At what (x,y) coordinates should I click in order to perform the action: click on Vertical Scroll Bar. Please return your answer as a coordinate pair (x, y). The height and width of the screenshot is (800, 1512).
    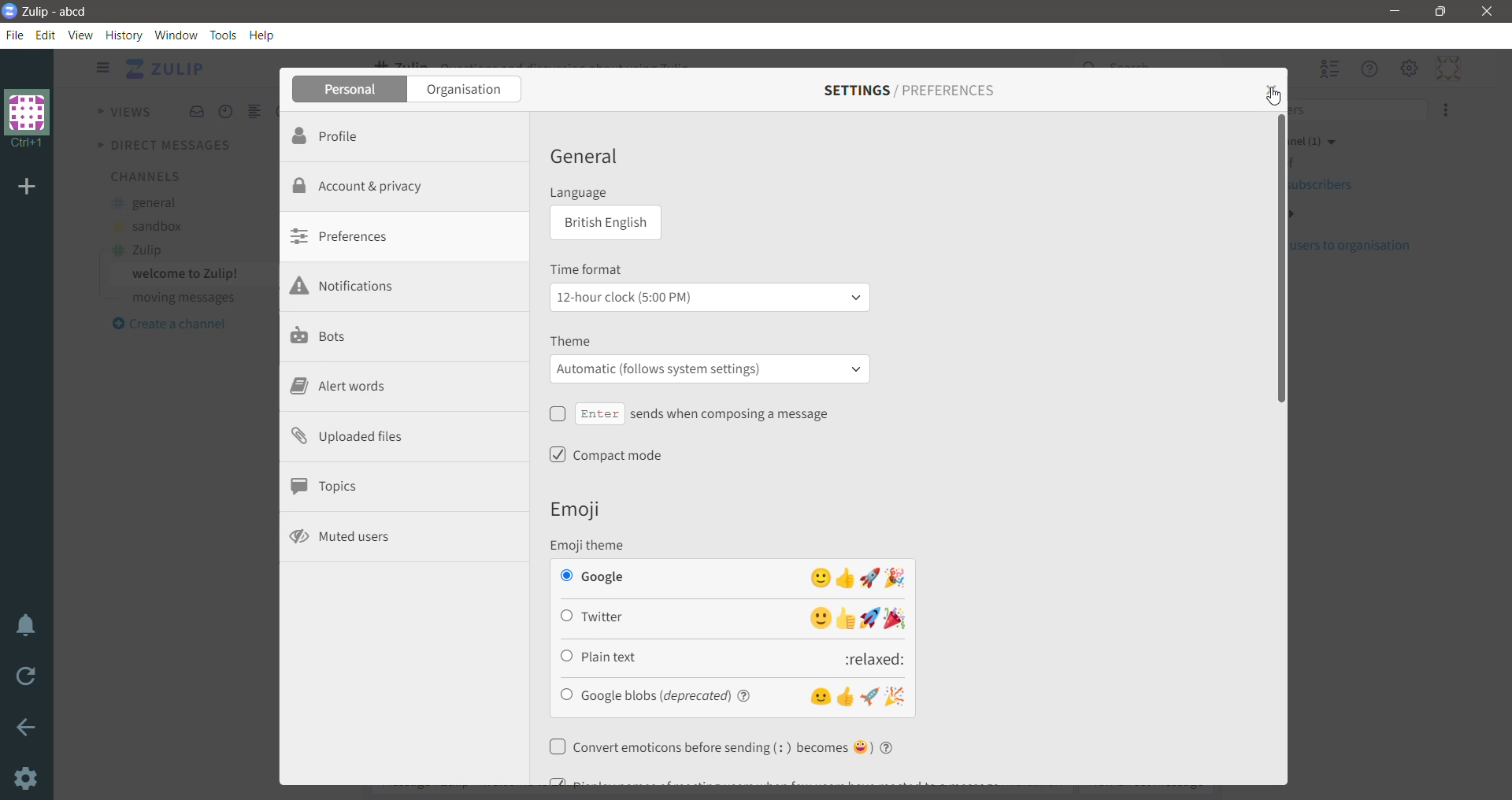
    Looking at the image, I should click on (1280, 448).